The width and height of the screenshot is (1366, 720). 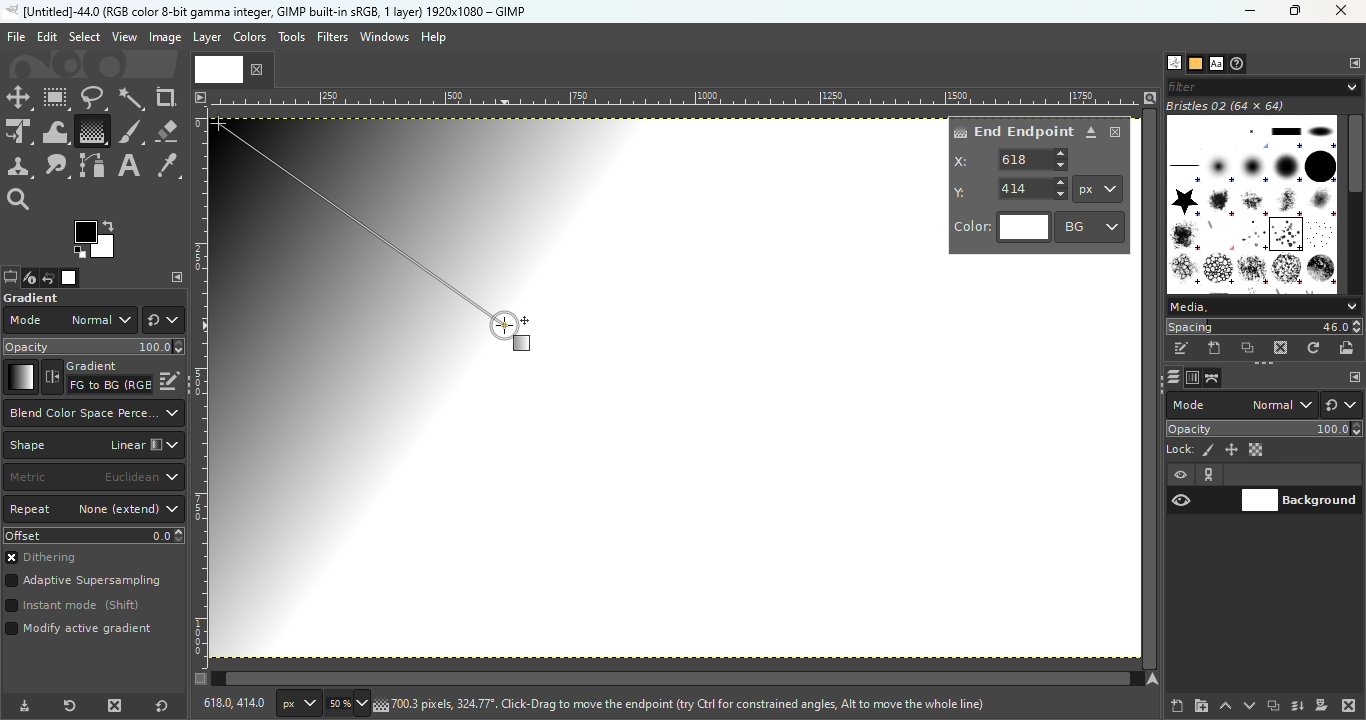 What do you see at coordinates (164, 38) in the screenshot?
I see `Image` at bounding box center [164, 38].